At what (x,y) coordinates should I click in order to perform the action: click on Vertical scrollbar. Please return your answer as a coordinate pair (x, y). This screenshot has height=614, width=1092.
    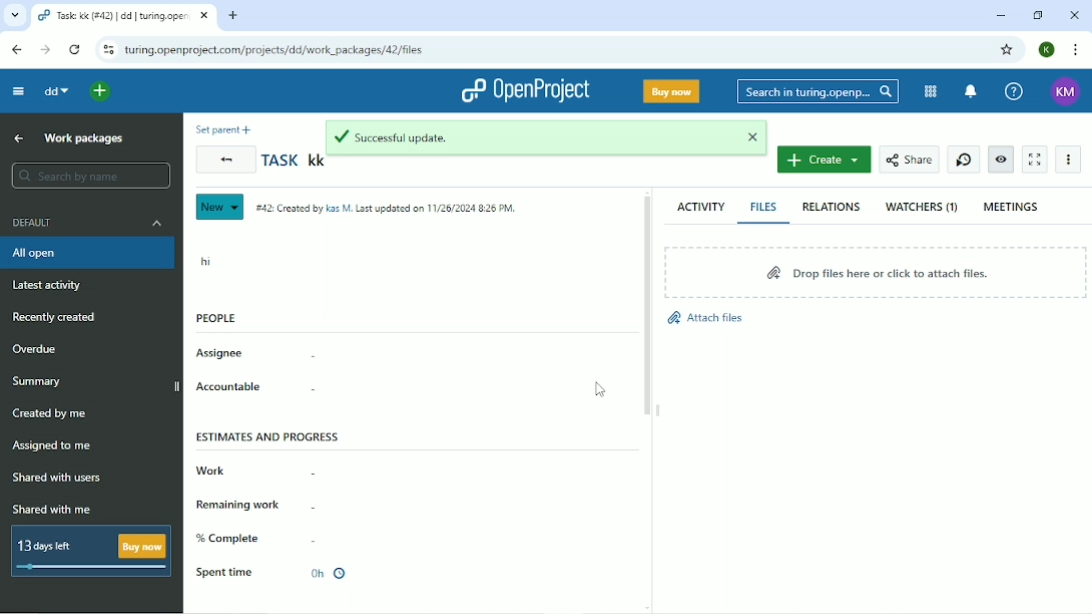
    Looking at the image, I should click on (647, 307).